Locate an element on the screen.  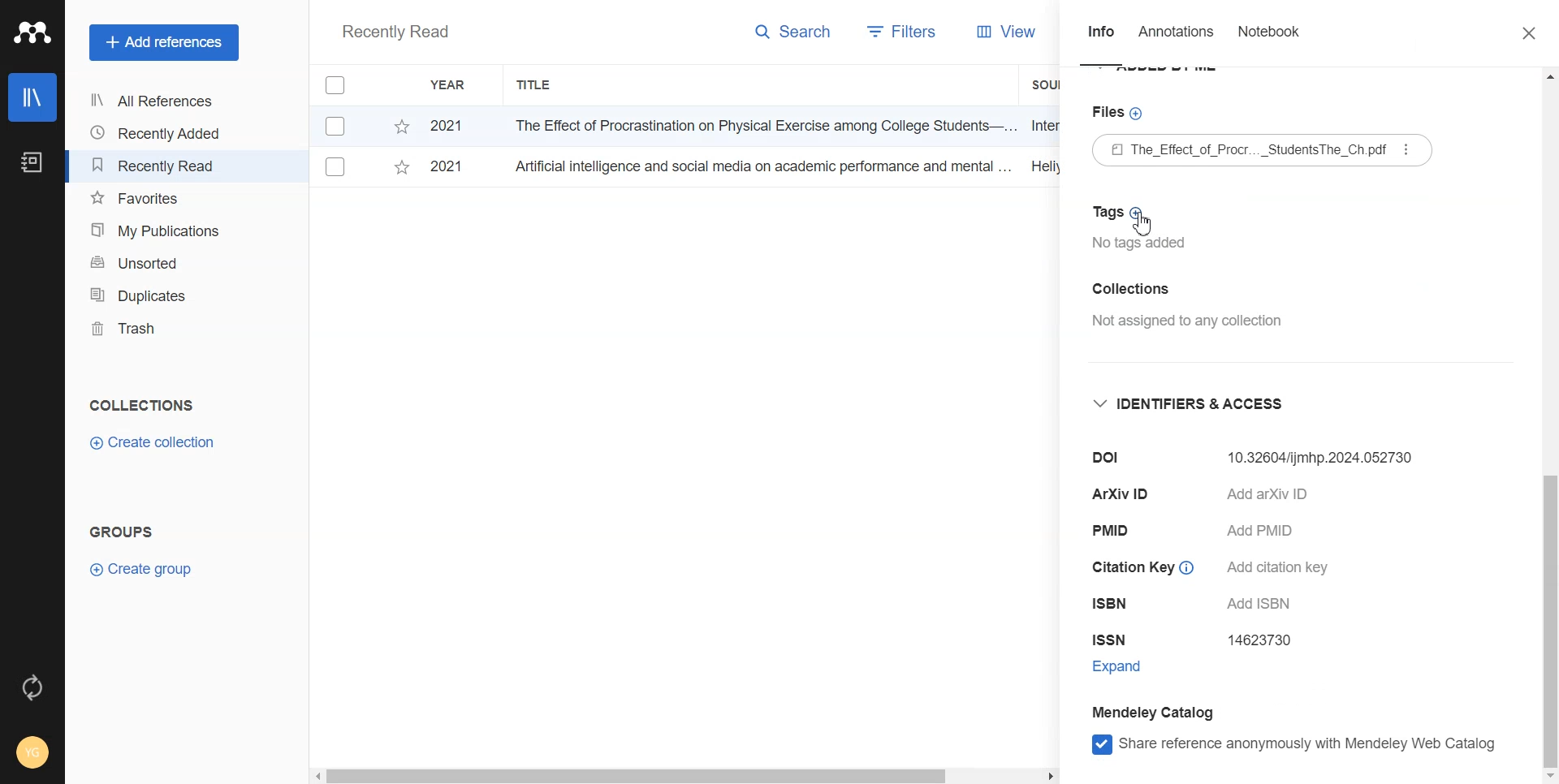
Collections is located at coordinates (141, 405).